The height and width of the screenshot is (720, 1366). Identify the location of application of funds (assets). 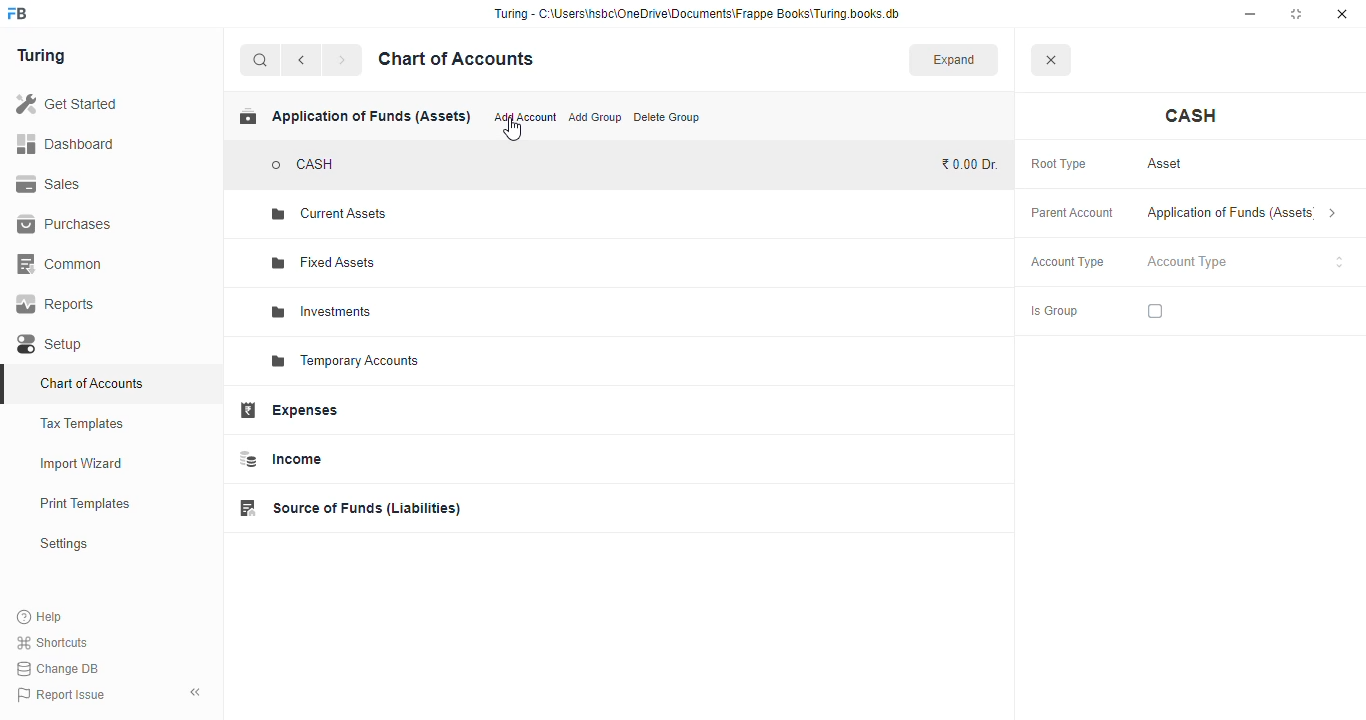
(1242, 213).